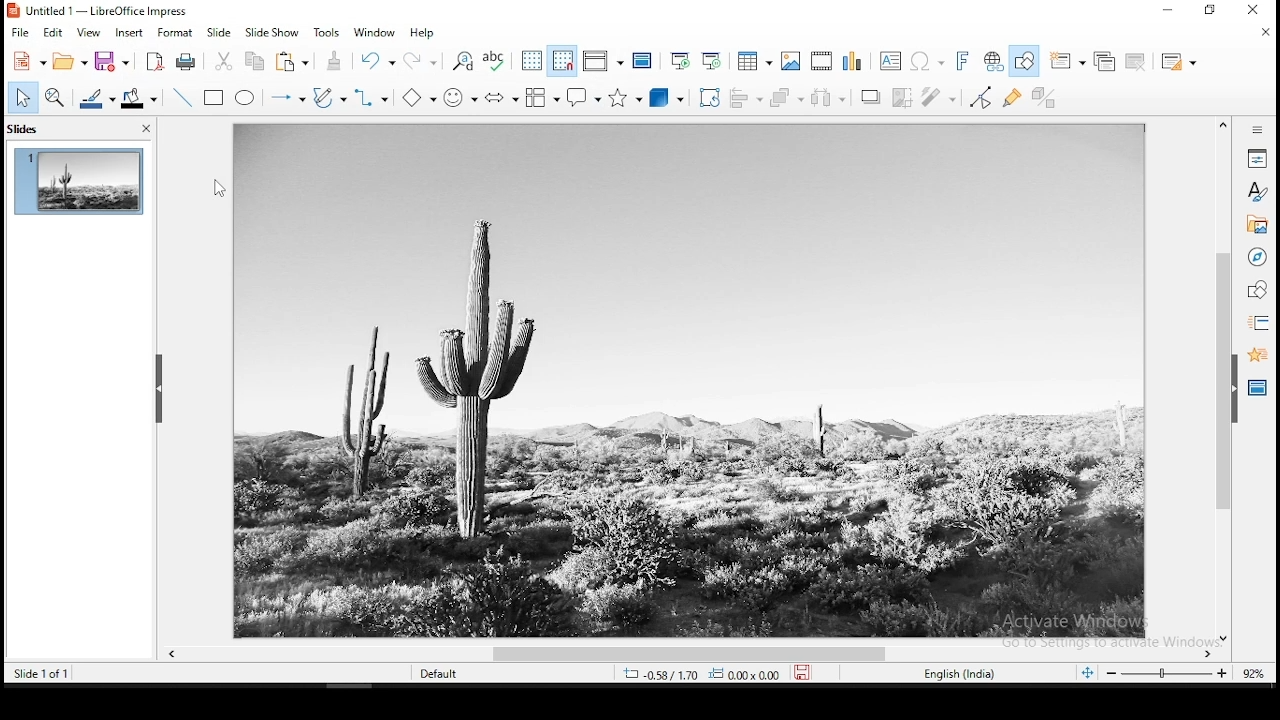 This screenshot has width=1280, height=720. What do you see at coordinates (227, 61) in the screenshot?
I see `cut` at bounding box center [227, 61].